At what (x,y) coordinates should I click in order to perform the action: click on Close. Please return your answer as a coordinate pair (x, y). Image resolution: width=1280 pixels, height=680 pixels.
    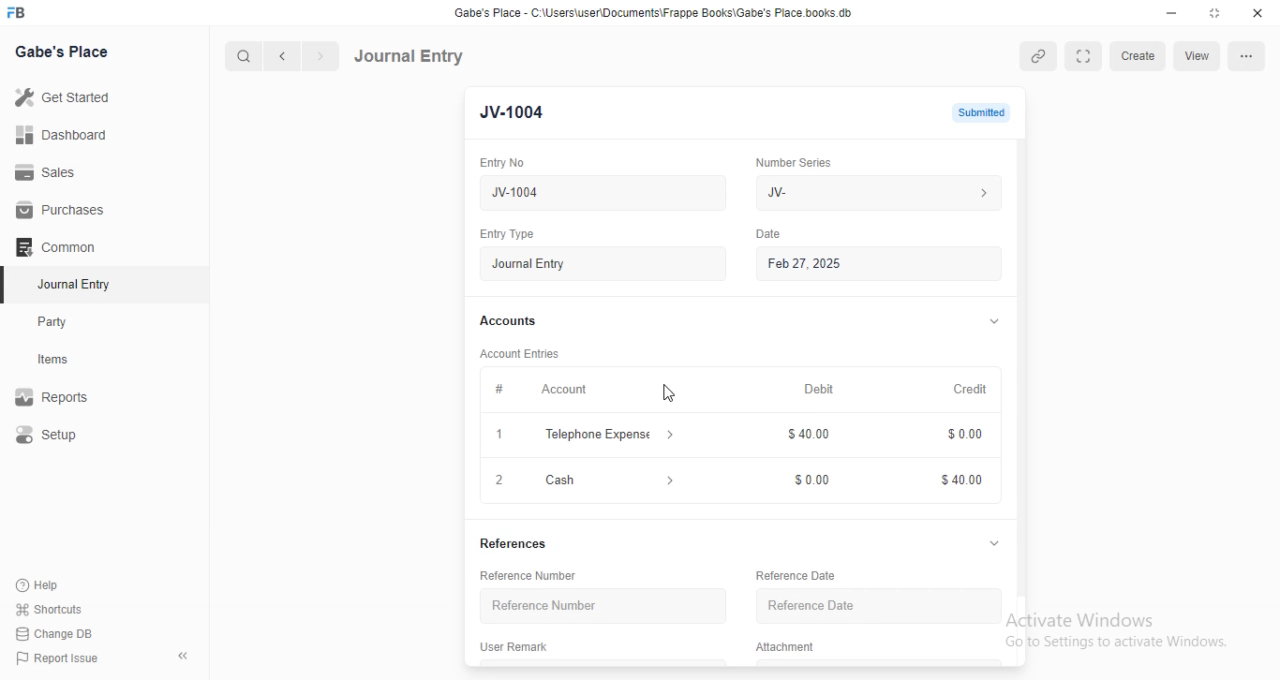
    Looking at the image, I should click on (1254, 14).